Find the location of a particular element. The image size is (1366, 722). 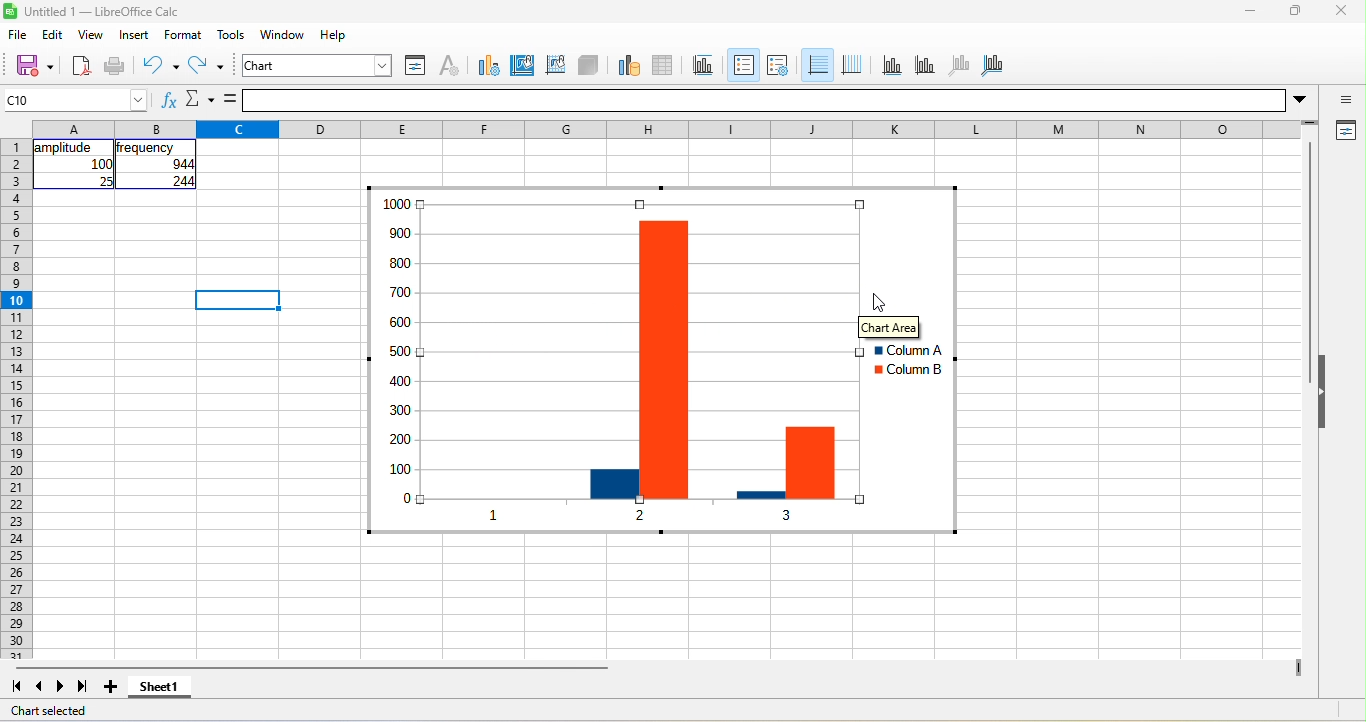

x axis is located at coordinates (890, 65).